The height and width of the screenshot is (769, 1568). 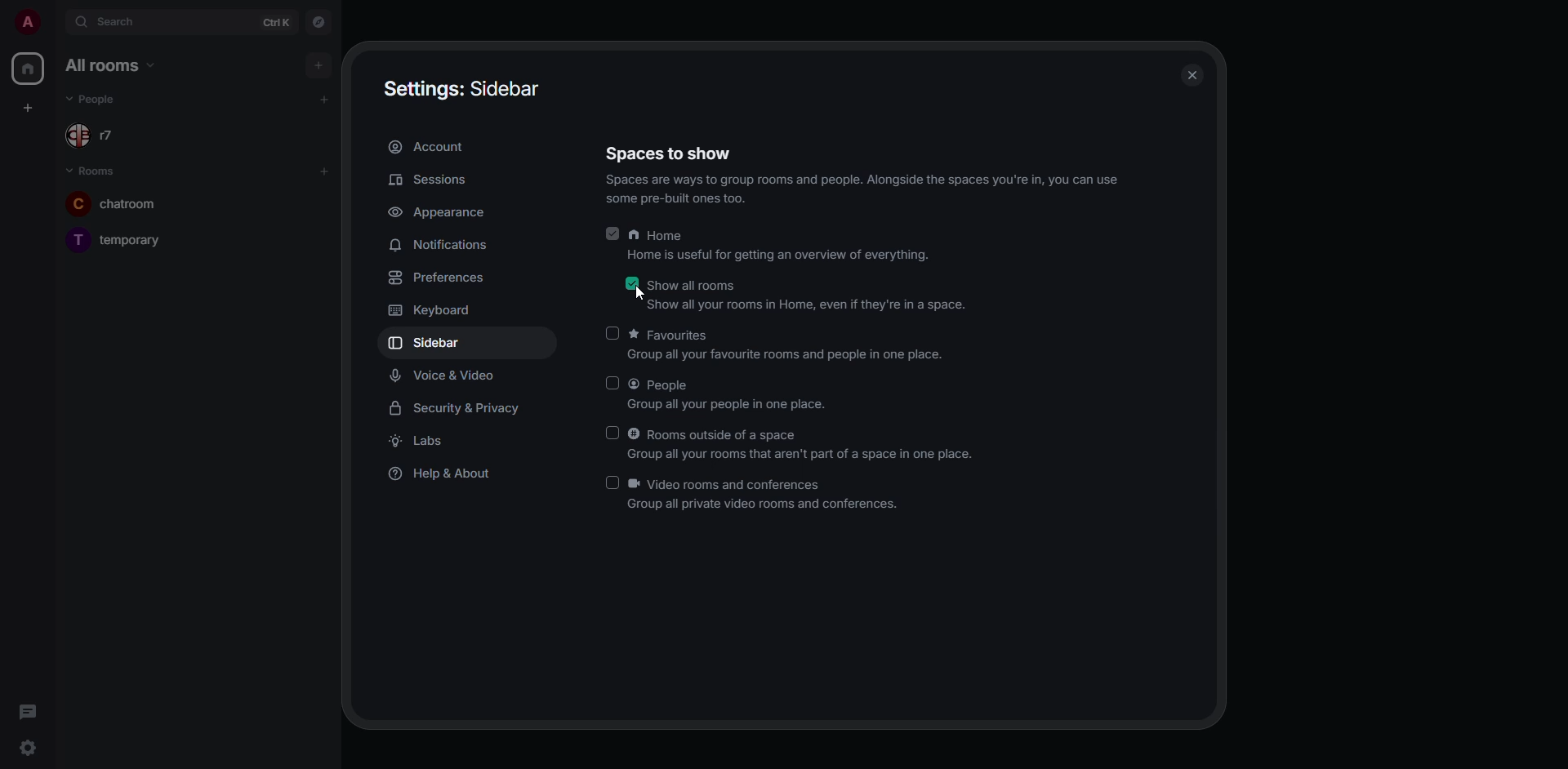 What do you see at coordinates (319, 65) in the screenshot?
I see `add` at bounding box center [319, 65].